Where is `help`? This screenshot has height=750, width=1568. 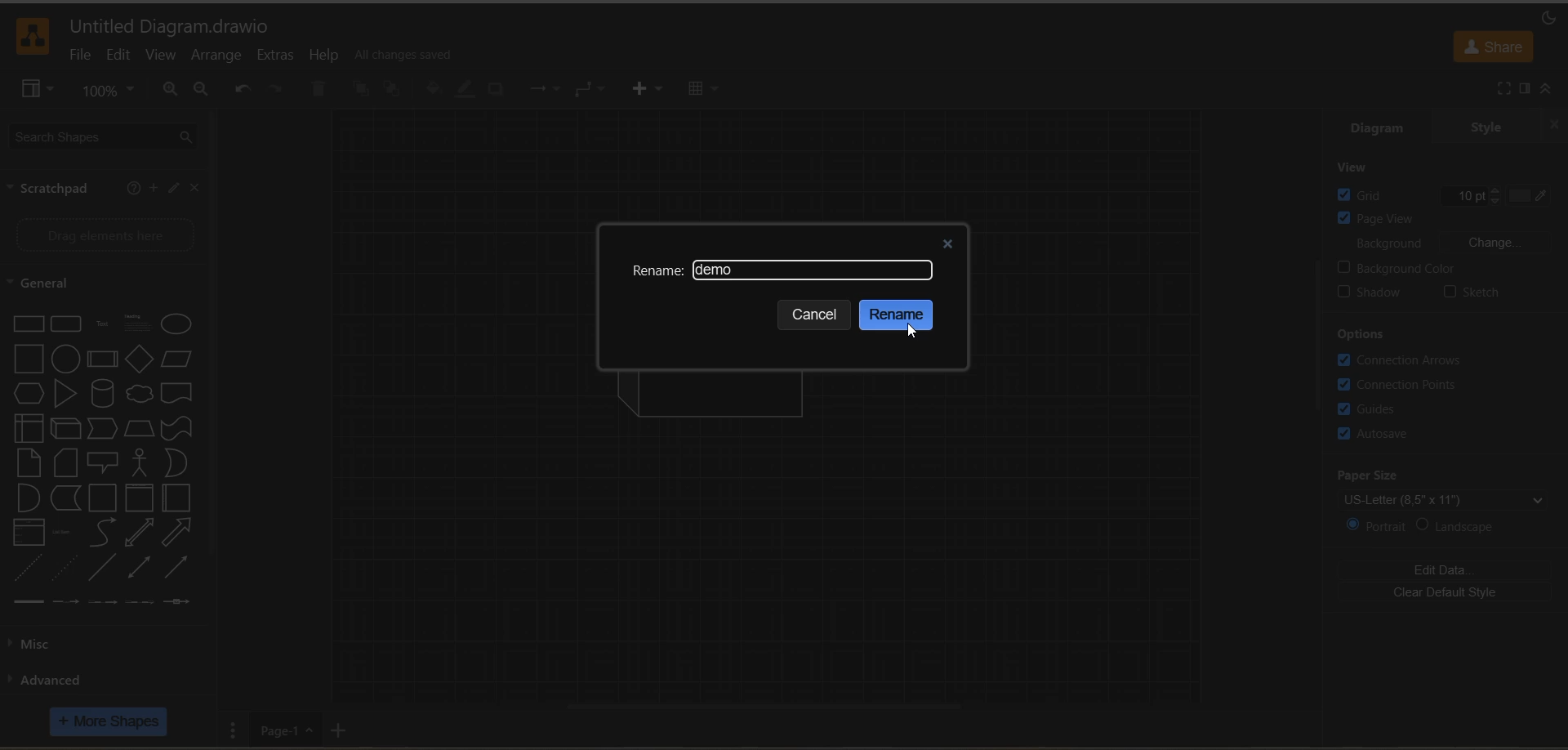
help is located at coordinates (326, 57).